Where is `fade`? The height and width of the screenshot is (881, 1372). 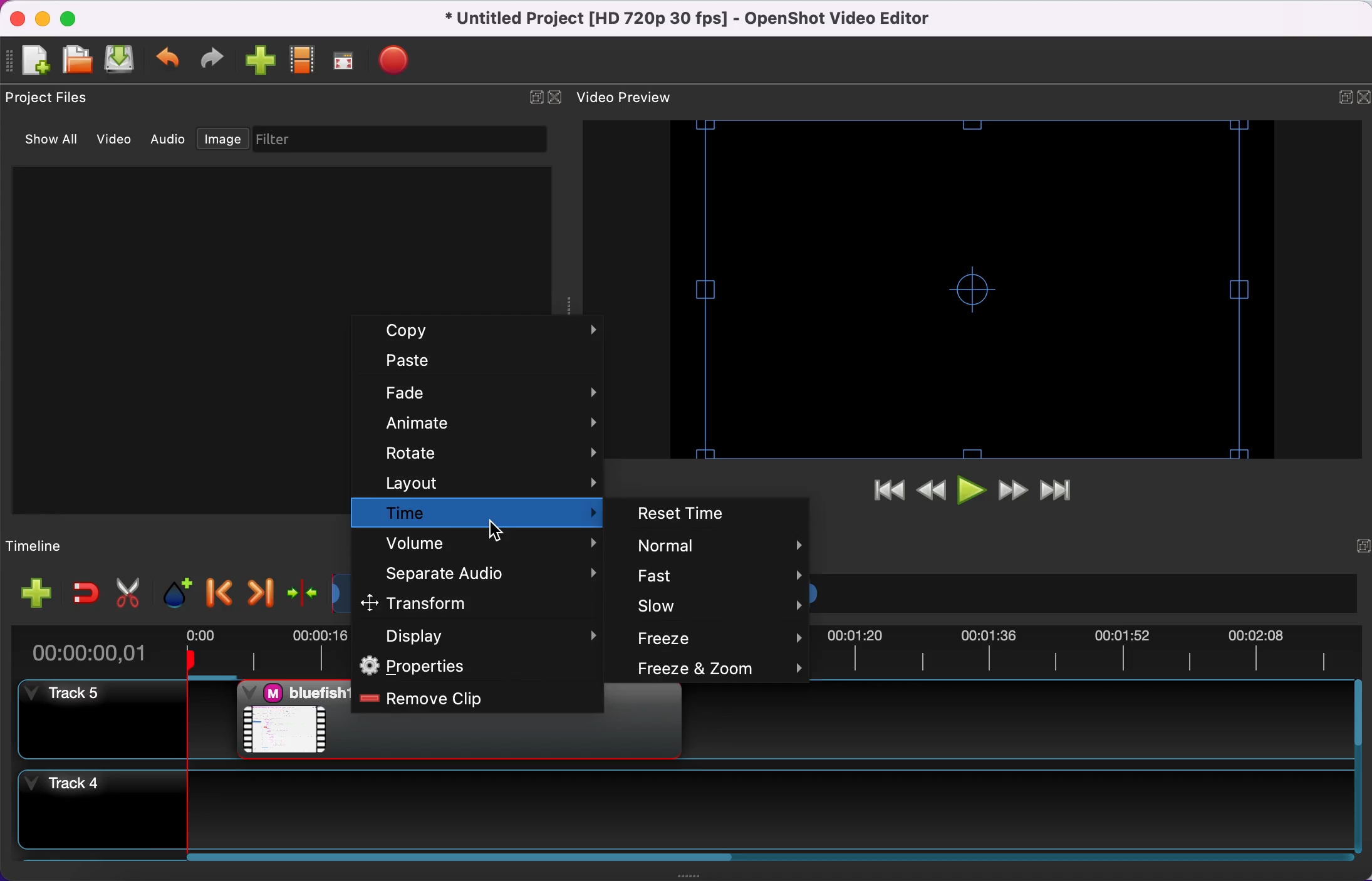 fade is located at coordinates (486, 395).